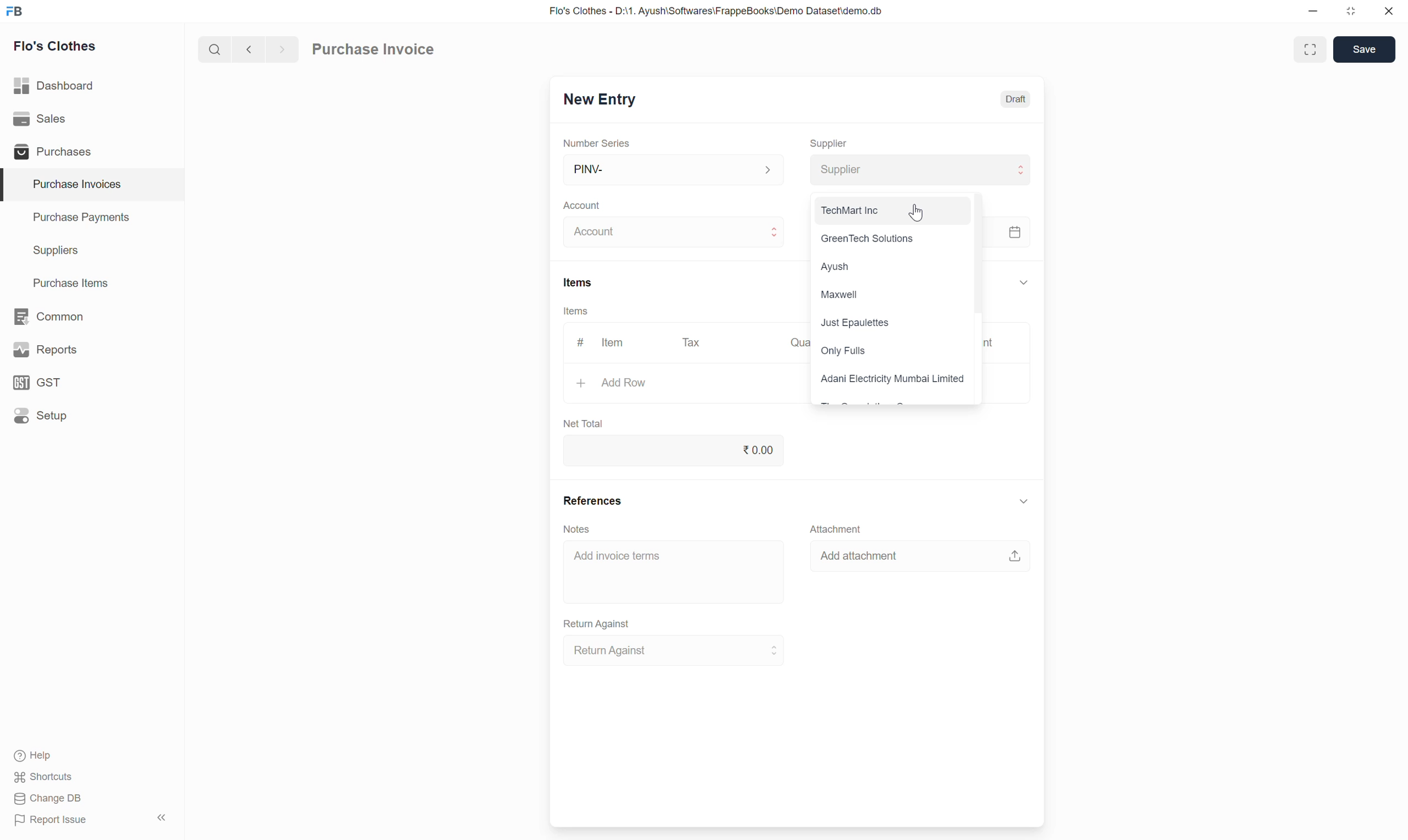 The image size is (1408, 840). Describe the element at coordinates (920, 556) in the screenshot. I see `Add attachment` at that location.